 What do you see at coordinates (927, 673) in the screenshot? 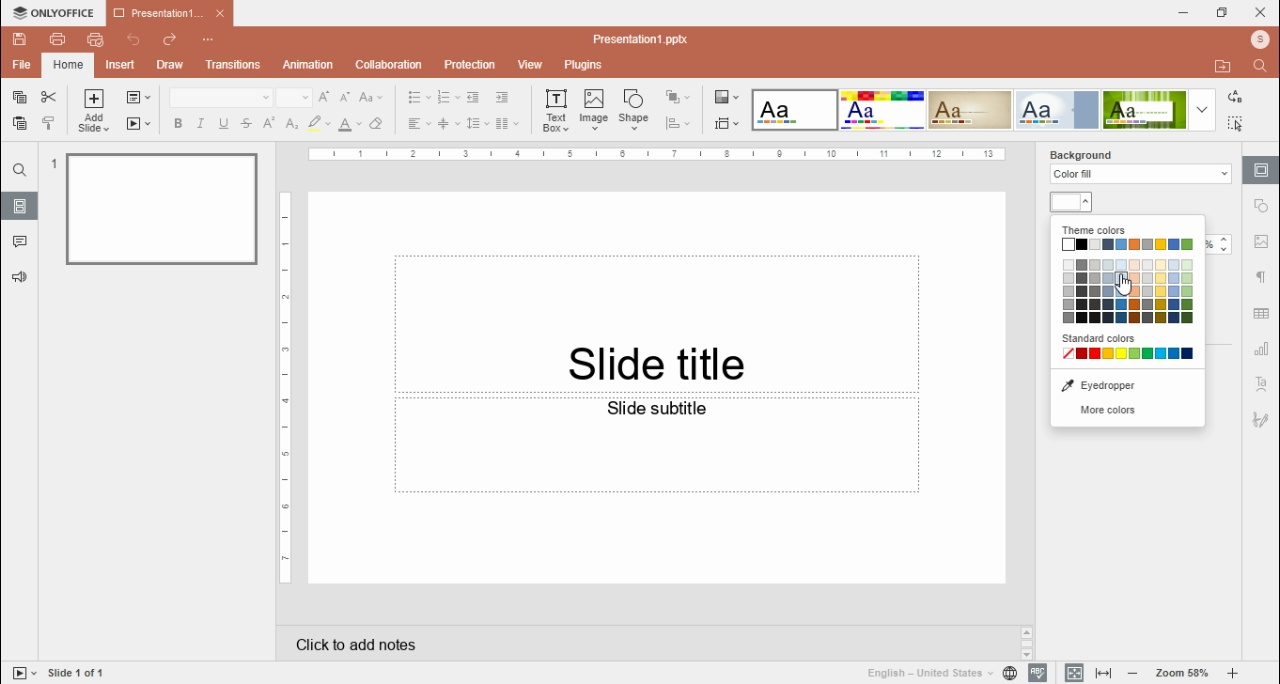
I see `language` at bounding box center [927, 673].